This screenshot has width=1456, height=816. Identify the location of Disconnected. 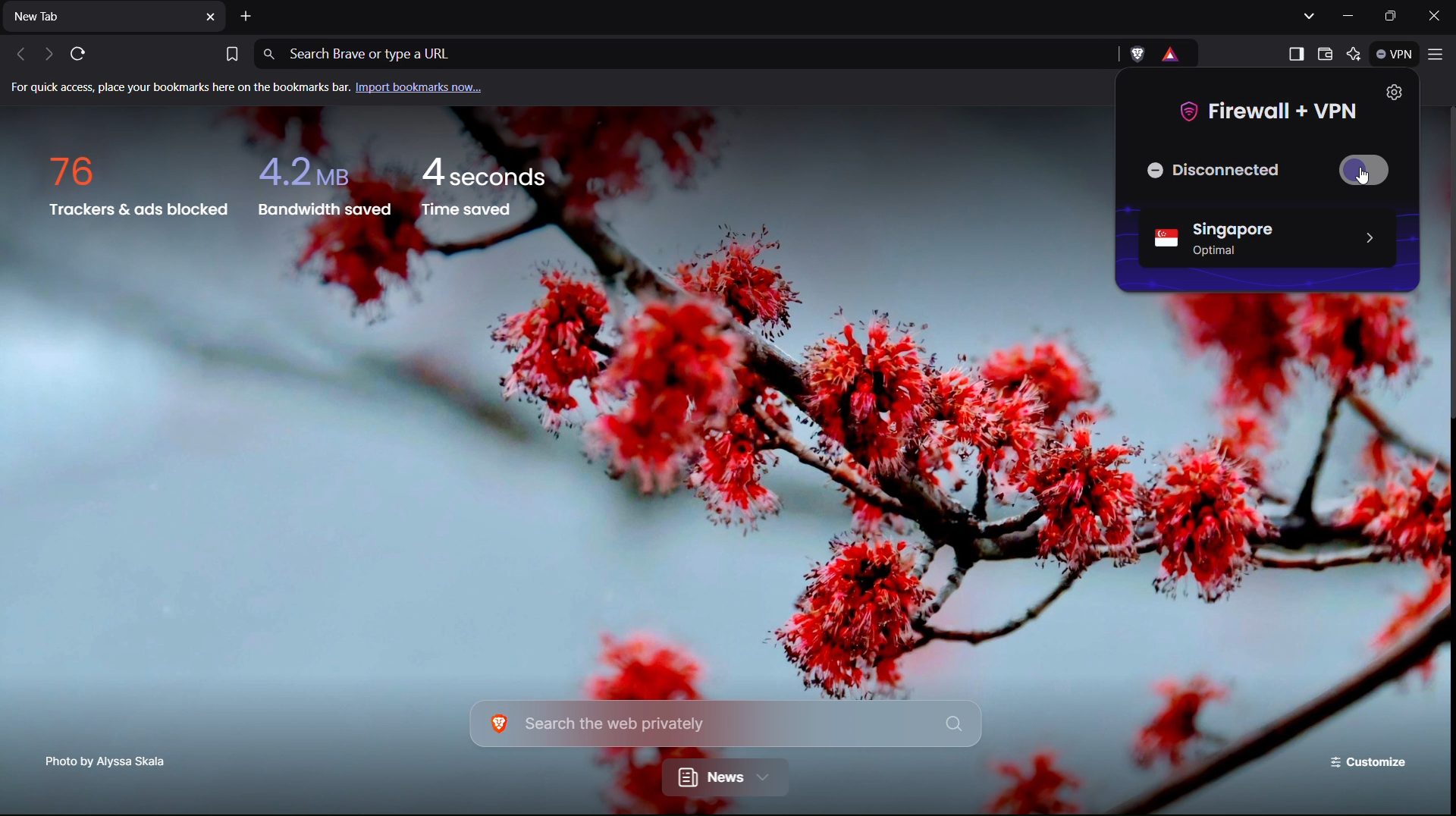
(1222, 169).